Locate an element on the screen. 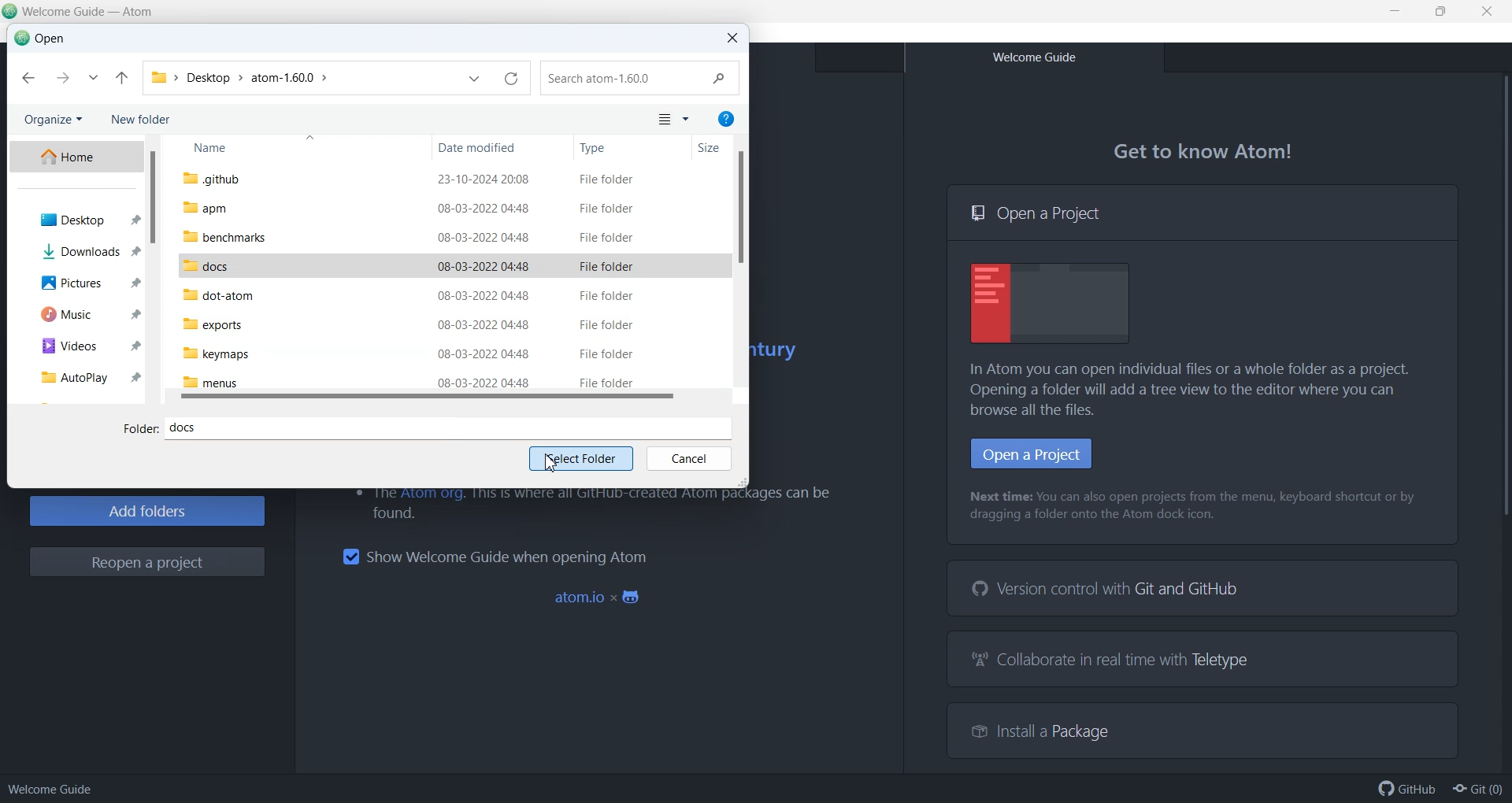  Open a Project is located at coordinates (1203, 213).